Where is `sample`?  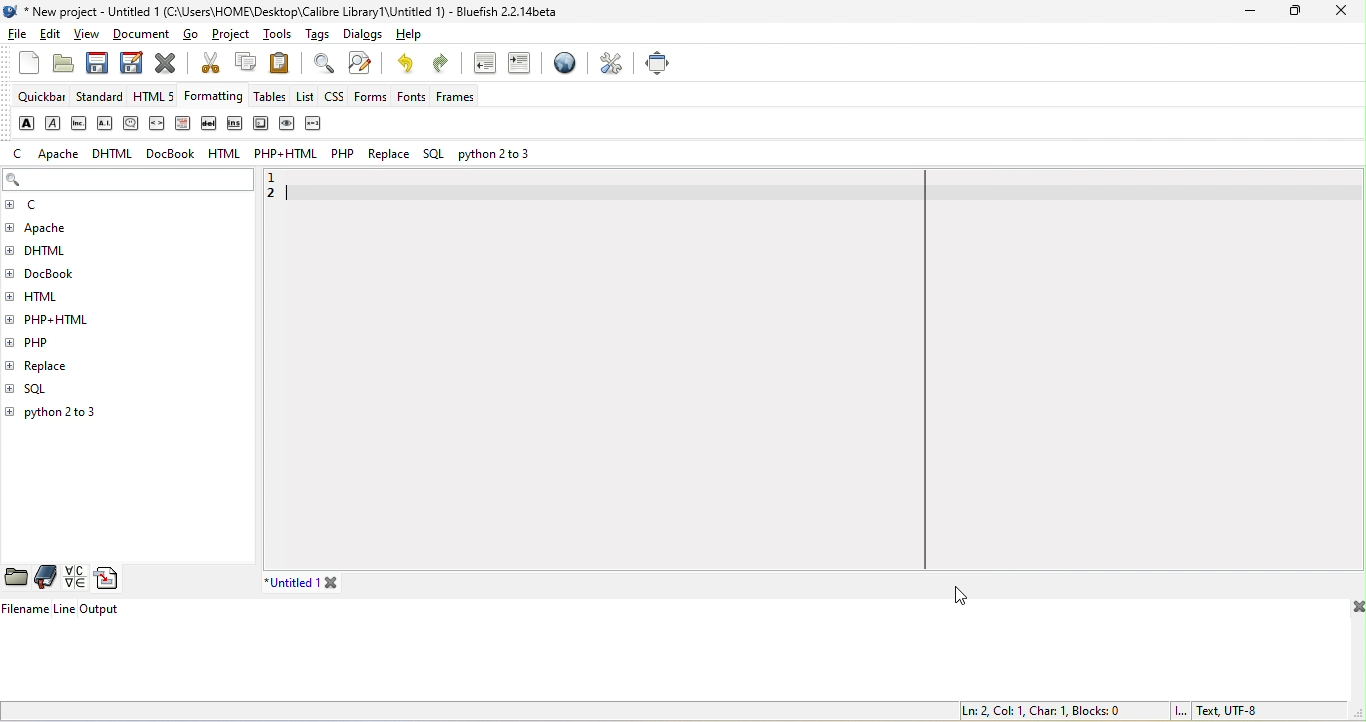
sample is located at coordinates (288, 126).